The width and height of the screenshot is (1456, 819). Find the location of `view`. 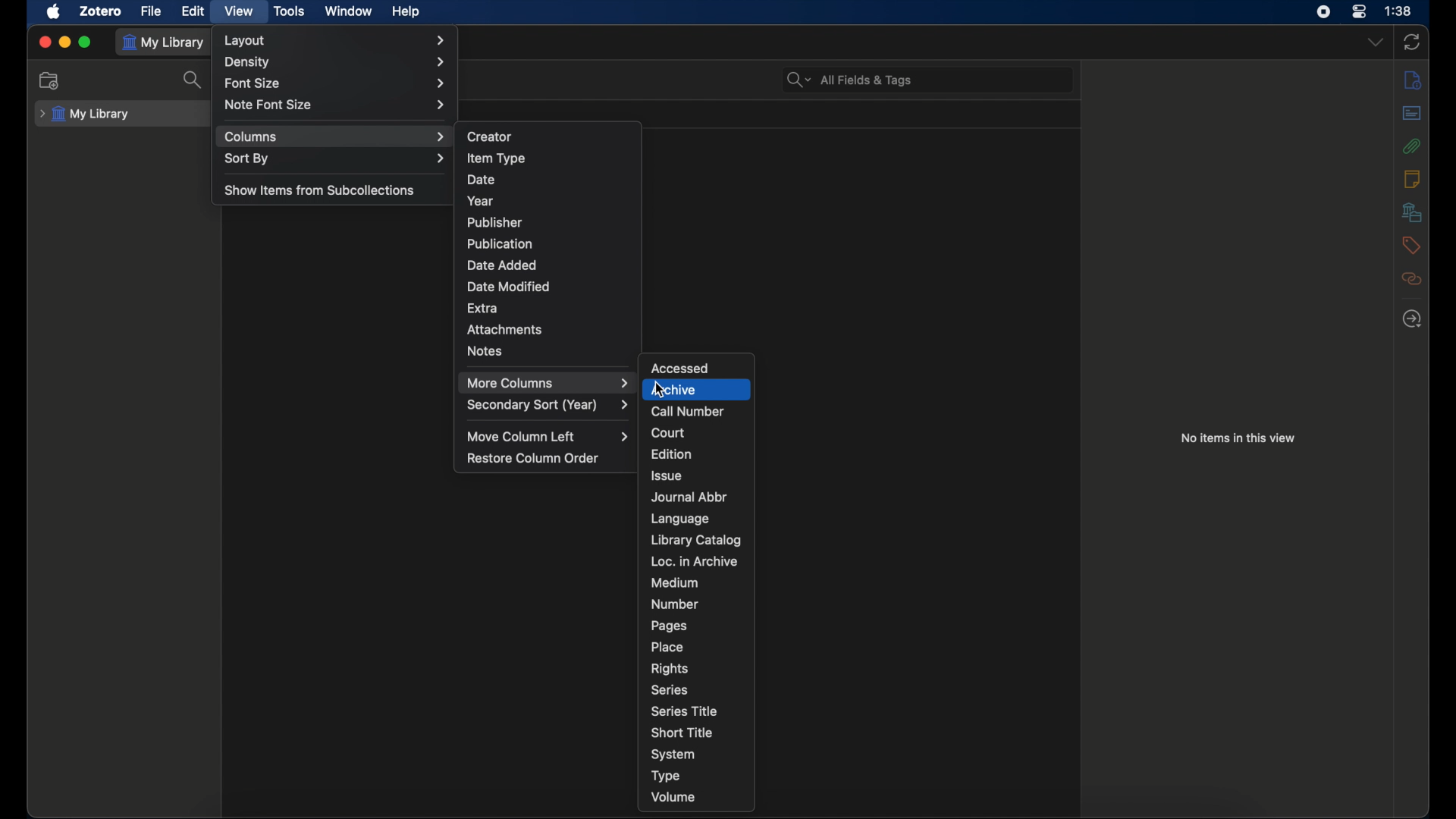

view is located at coordinates (238, 12).